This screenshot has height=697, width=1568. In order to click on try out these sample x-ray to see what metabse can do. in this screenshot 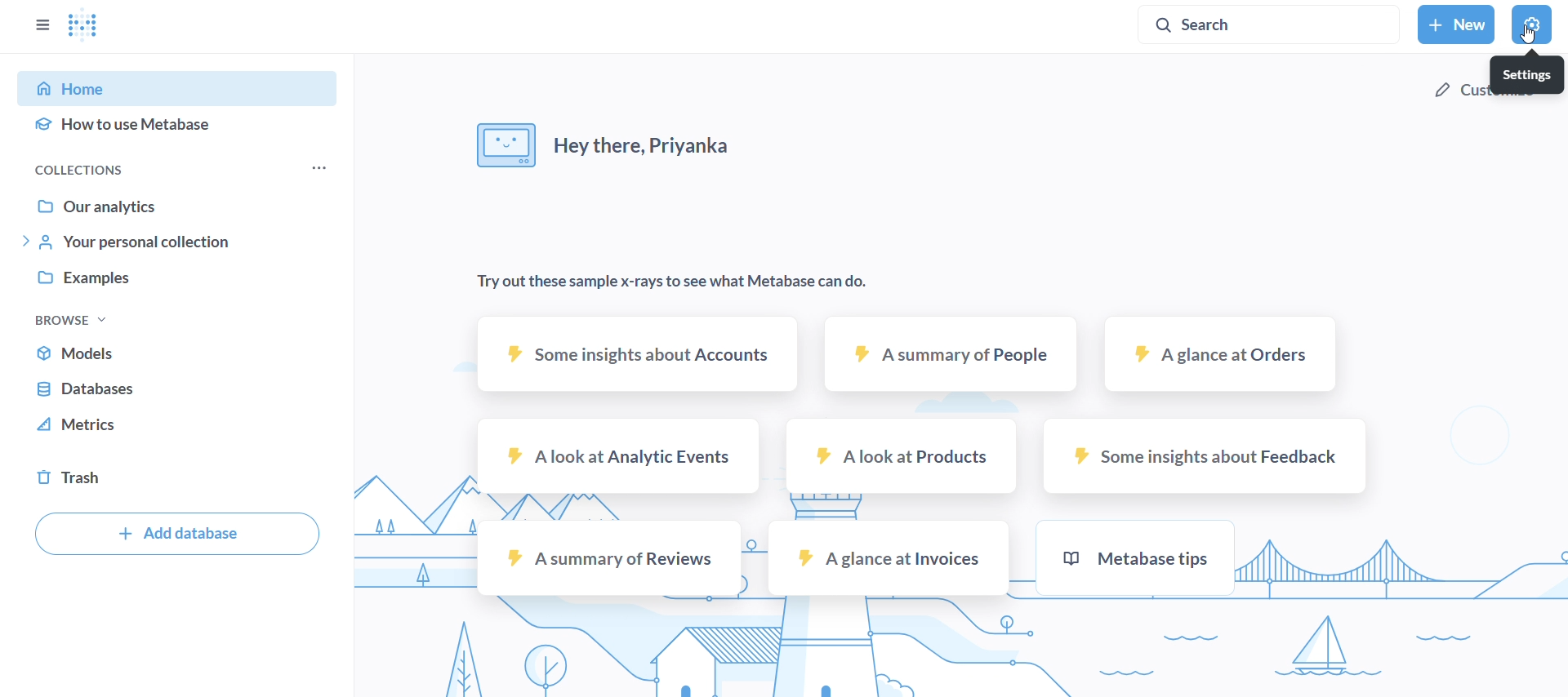, I will do `click(687, 282)`.